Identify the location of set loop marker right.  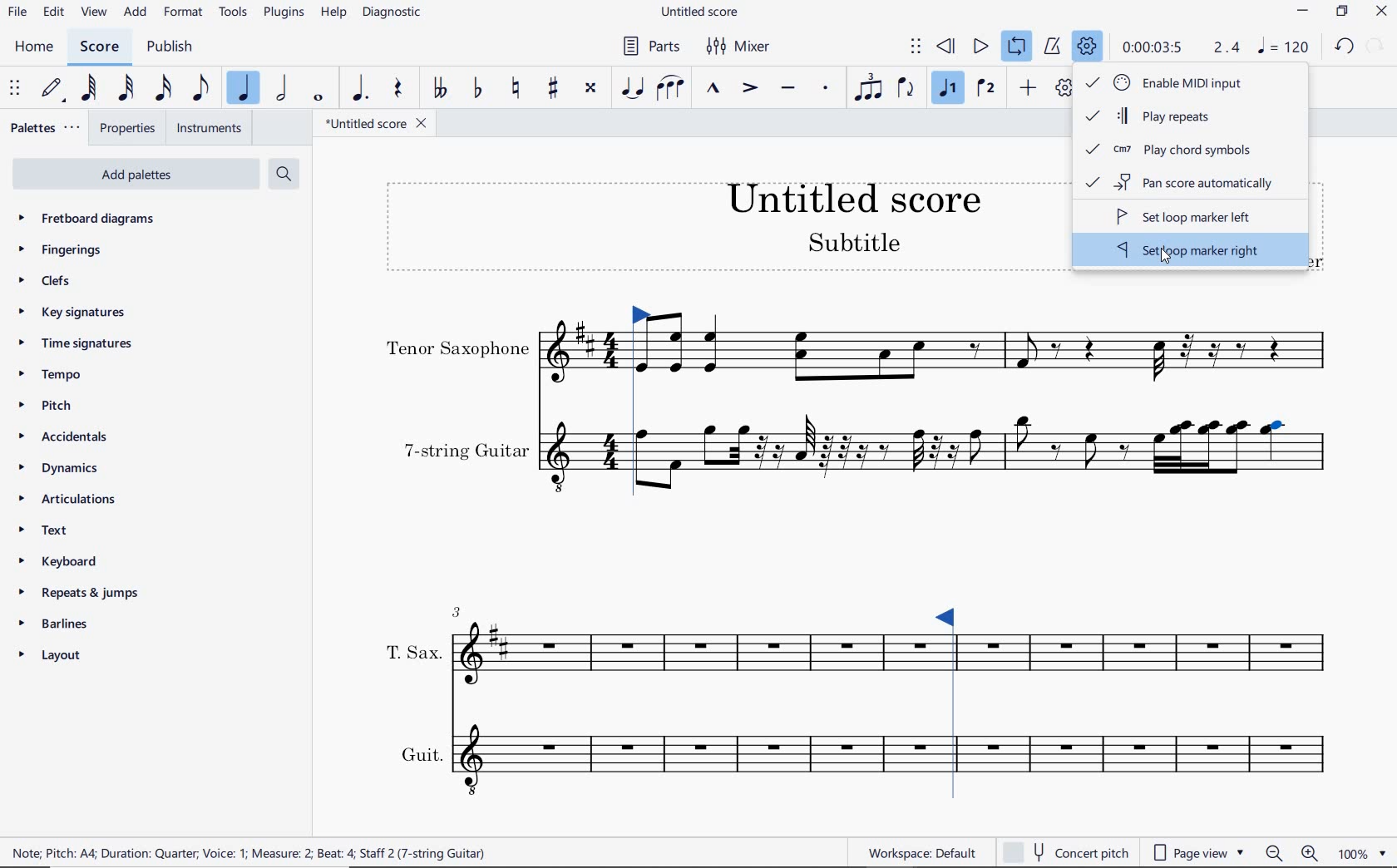
(1193, 253).